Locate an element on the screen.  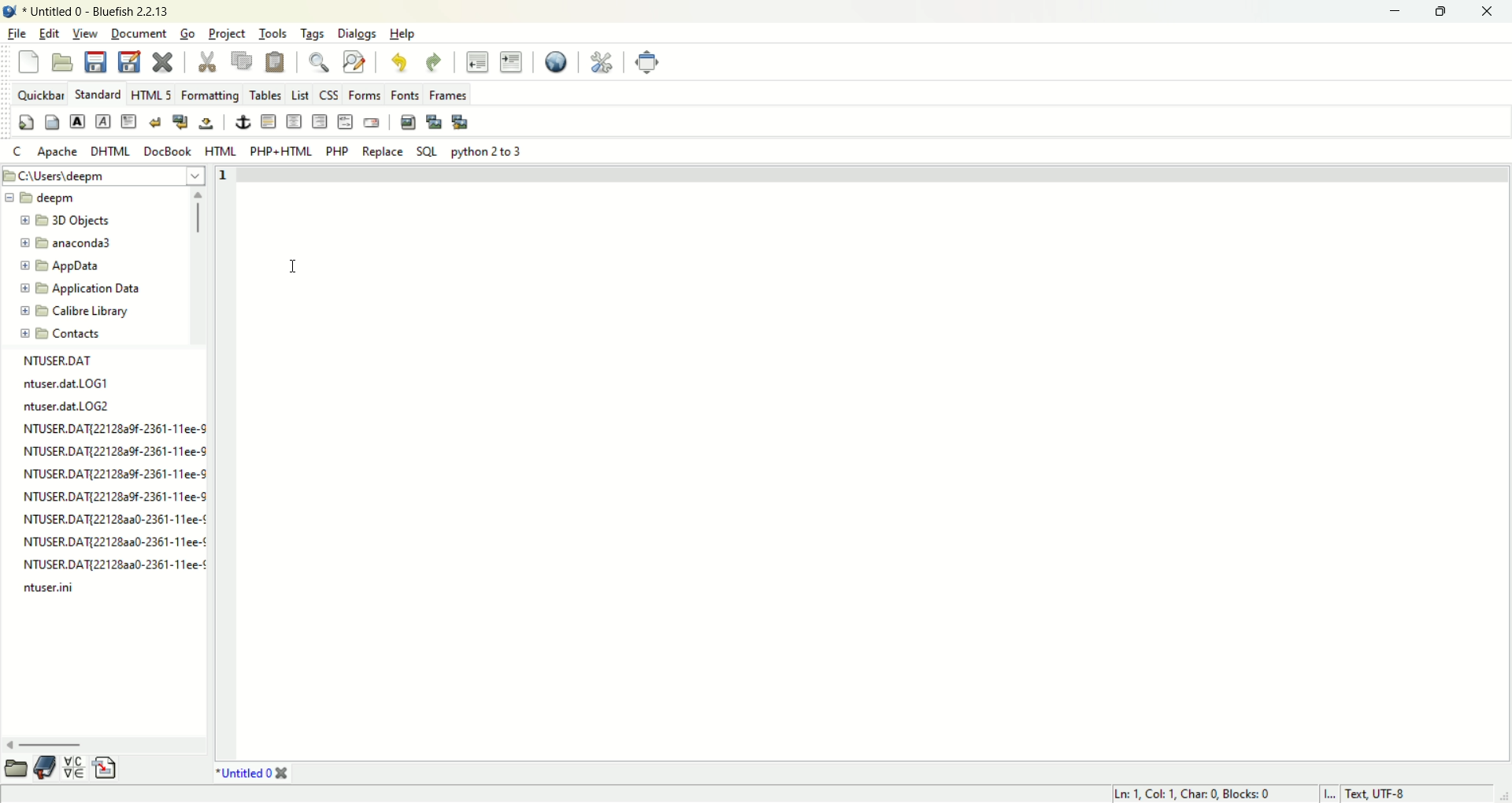
Replace is located at coordinates (383, 154).